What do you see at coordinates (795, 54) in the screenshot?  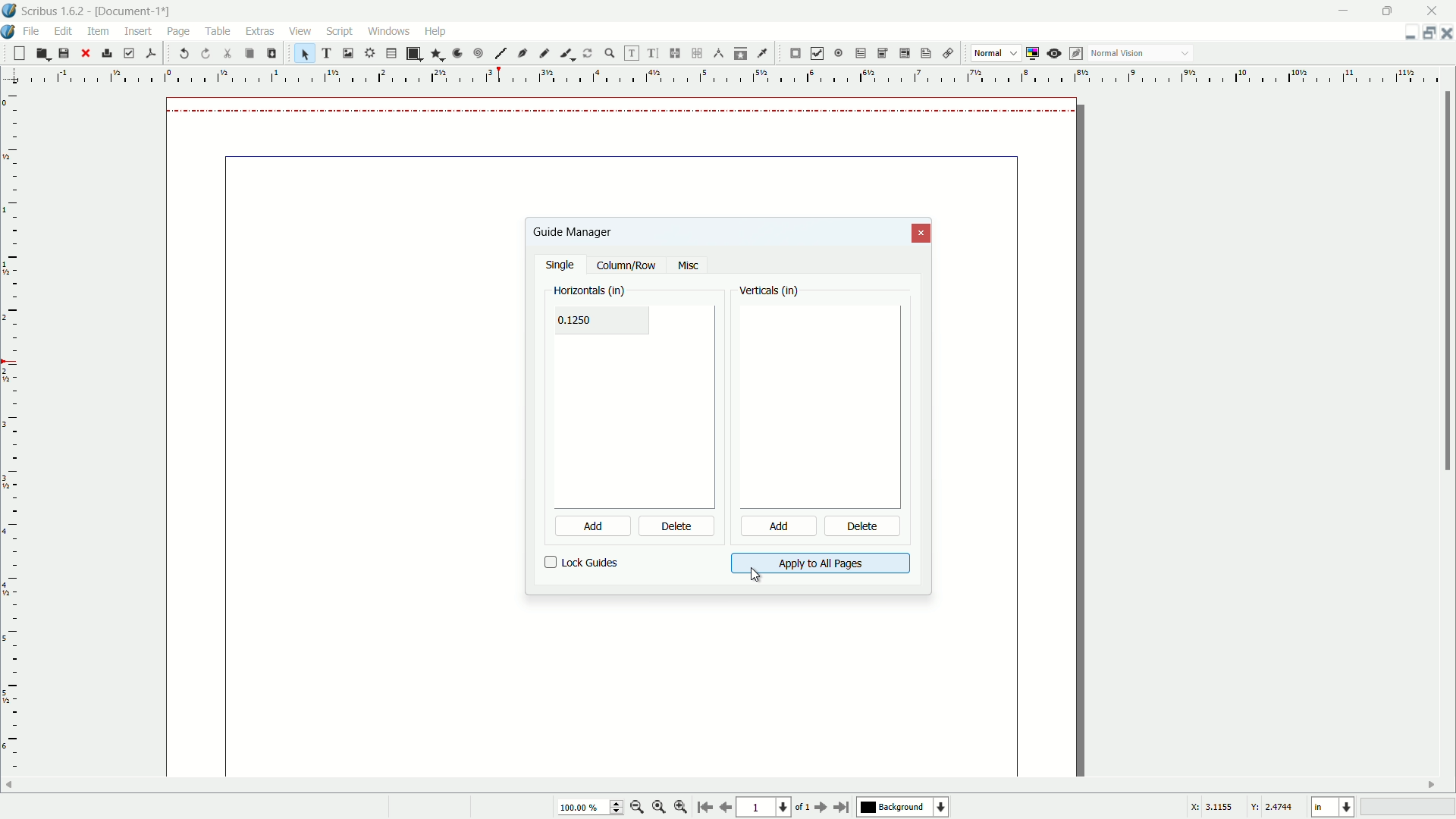 I see `pdf push button` at bounding box center [795, 54].